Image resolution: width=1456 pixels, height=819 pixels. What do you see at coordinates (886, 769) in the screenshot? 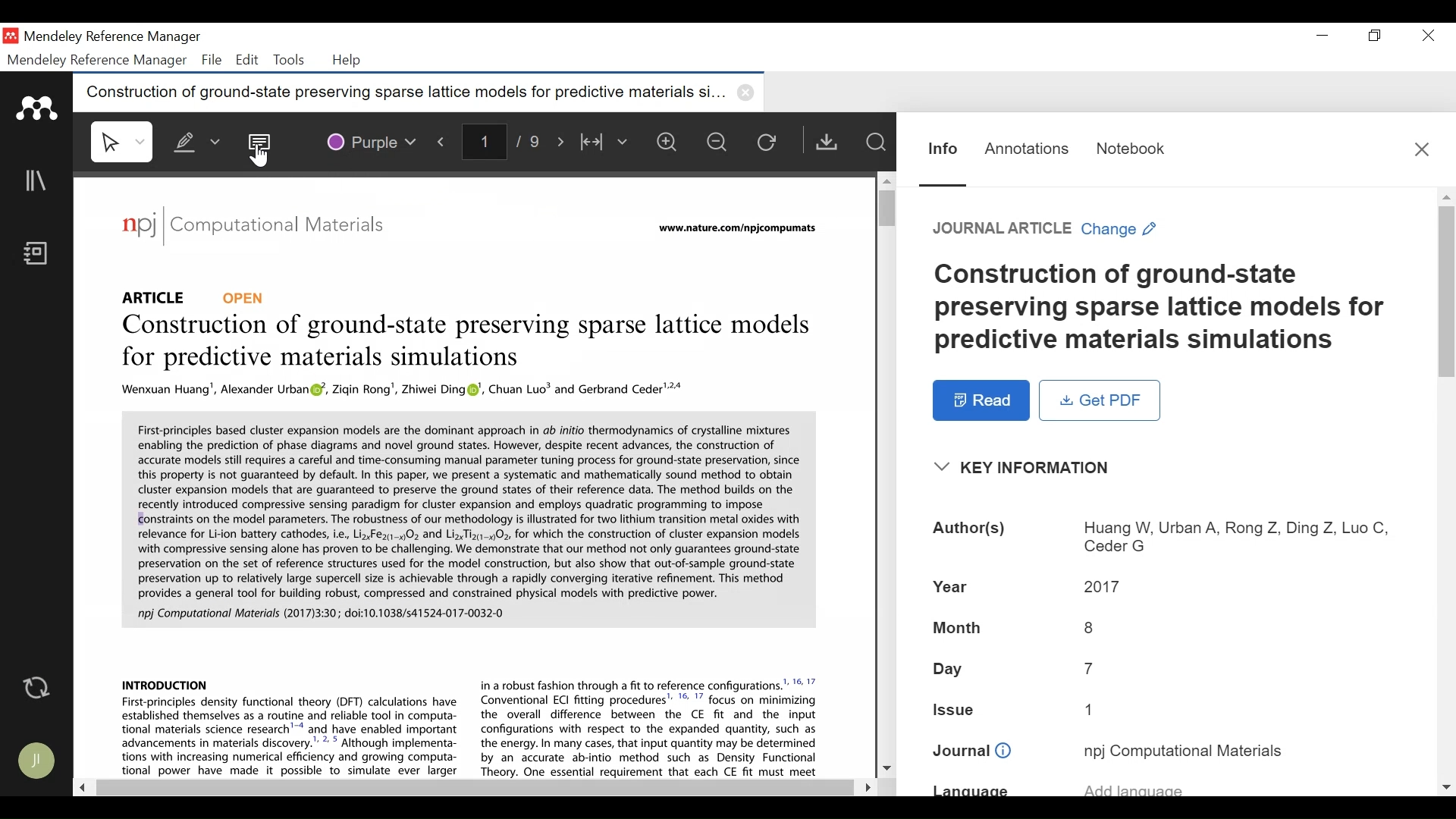
I see `Scroll down` at bounding box center [886, 769].